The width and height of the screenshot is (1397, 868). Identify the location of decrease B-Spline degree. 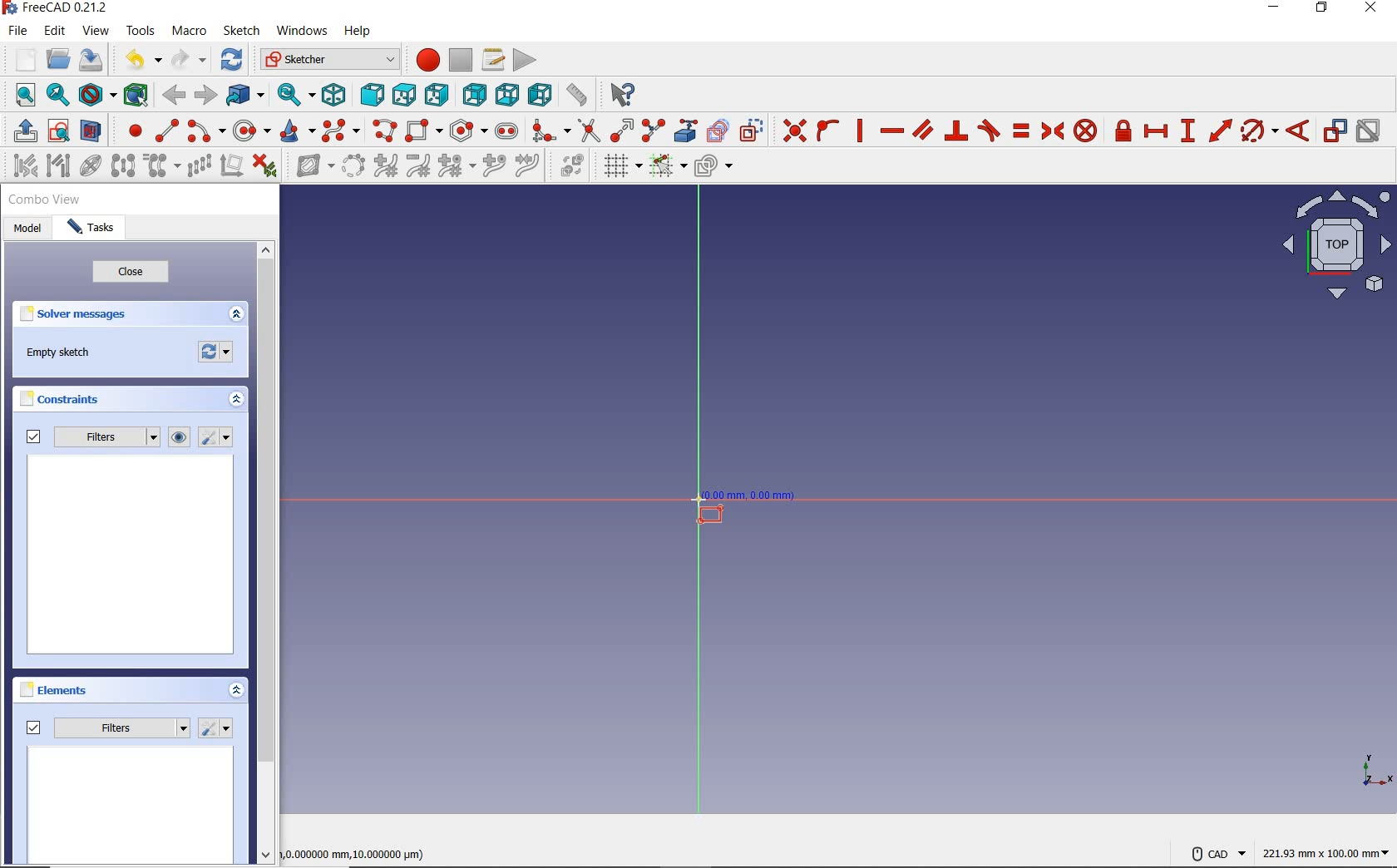
(419, 168).